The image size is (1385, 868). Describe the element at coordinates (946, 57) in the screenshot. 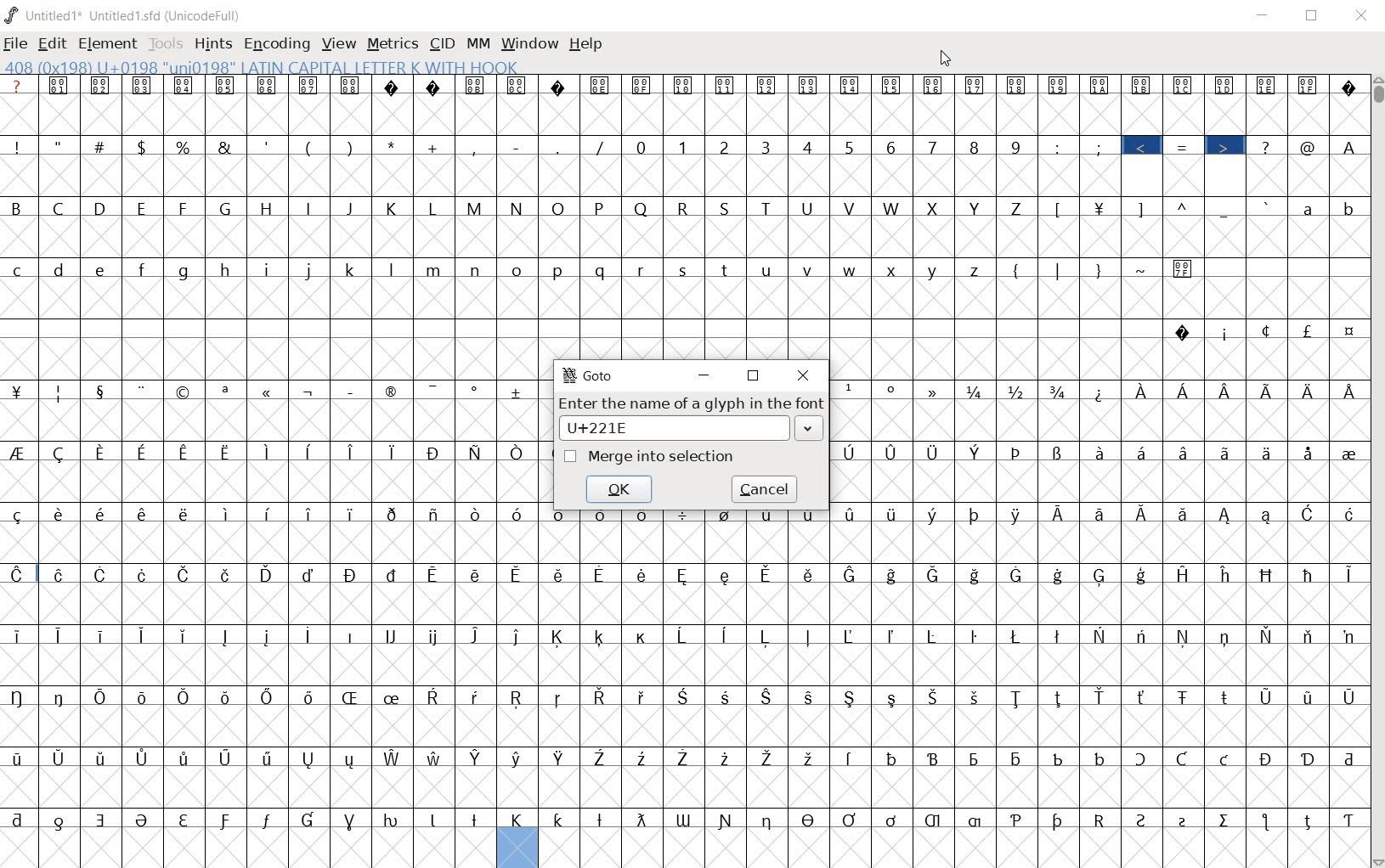

I see `cursor` at that location.